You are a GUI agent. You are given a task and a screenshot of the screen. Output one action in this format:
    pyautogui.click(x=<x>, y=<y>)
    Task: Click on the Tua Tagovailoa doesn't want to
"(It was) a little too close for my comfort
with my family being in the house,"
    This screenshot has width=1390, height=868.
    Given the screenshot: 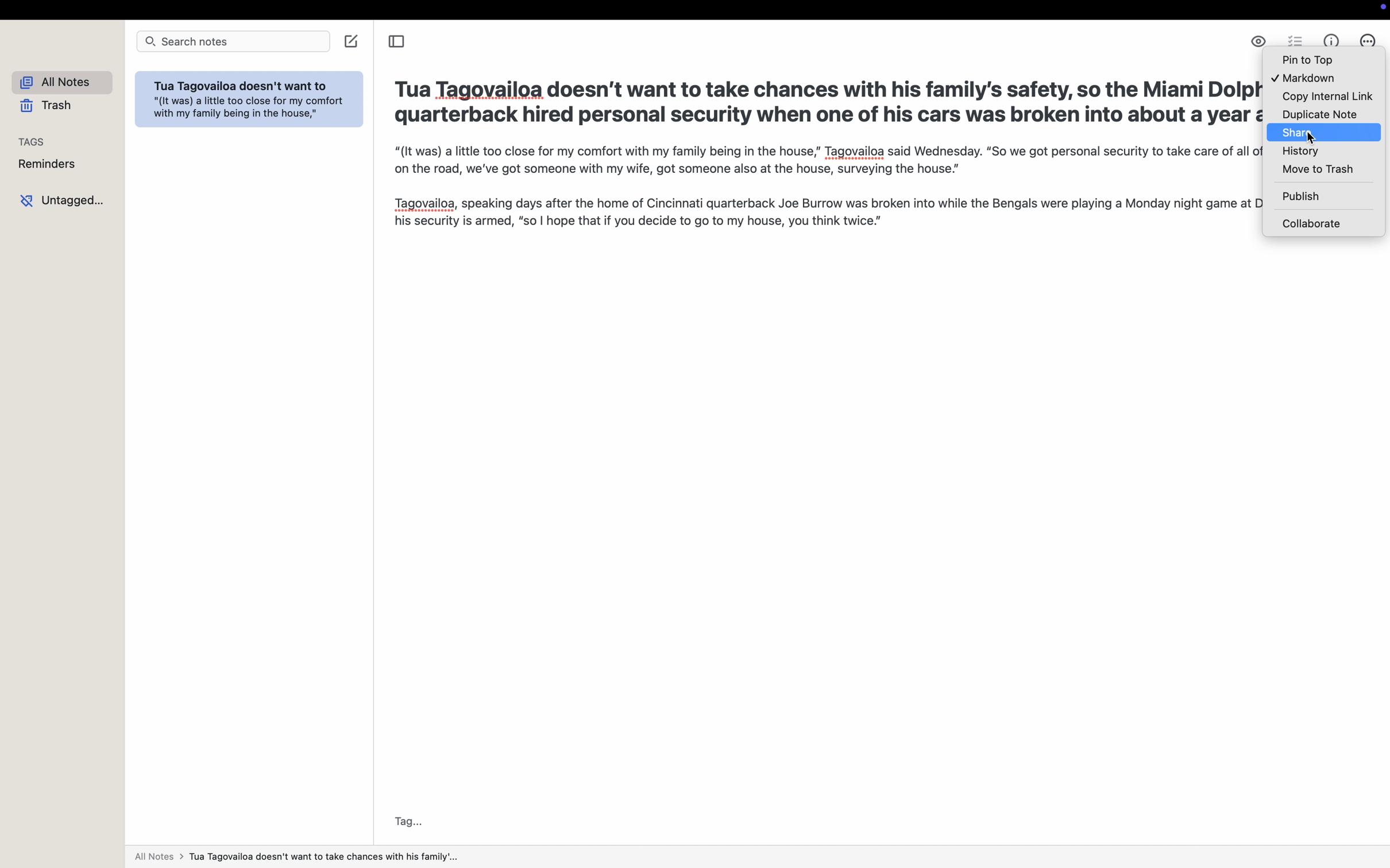 What is the action you would take?
    pyautogui.click(x=255, y=106)
    